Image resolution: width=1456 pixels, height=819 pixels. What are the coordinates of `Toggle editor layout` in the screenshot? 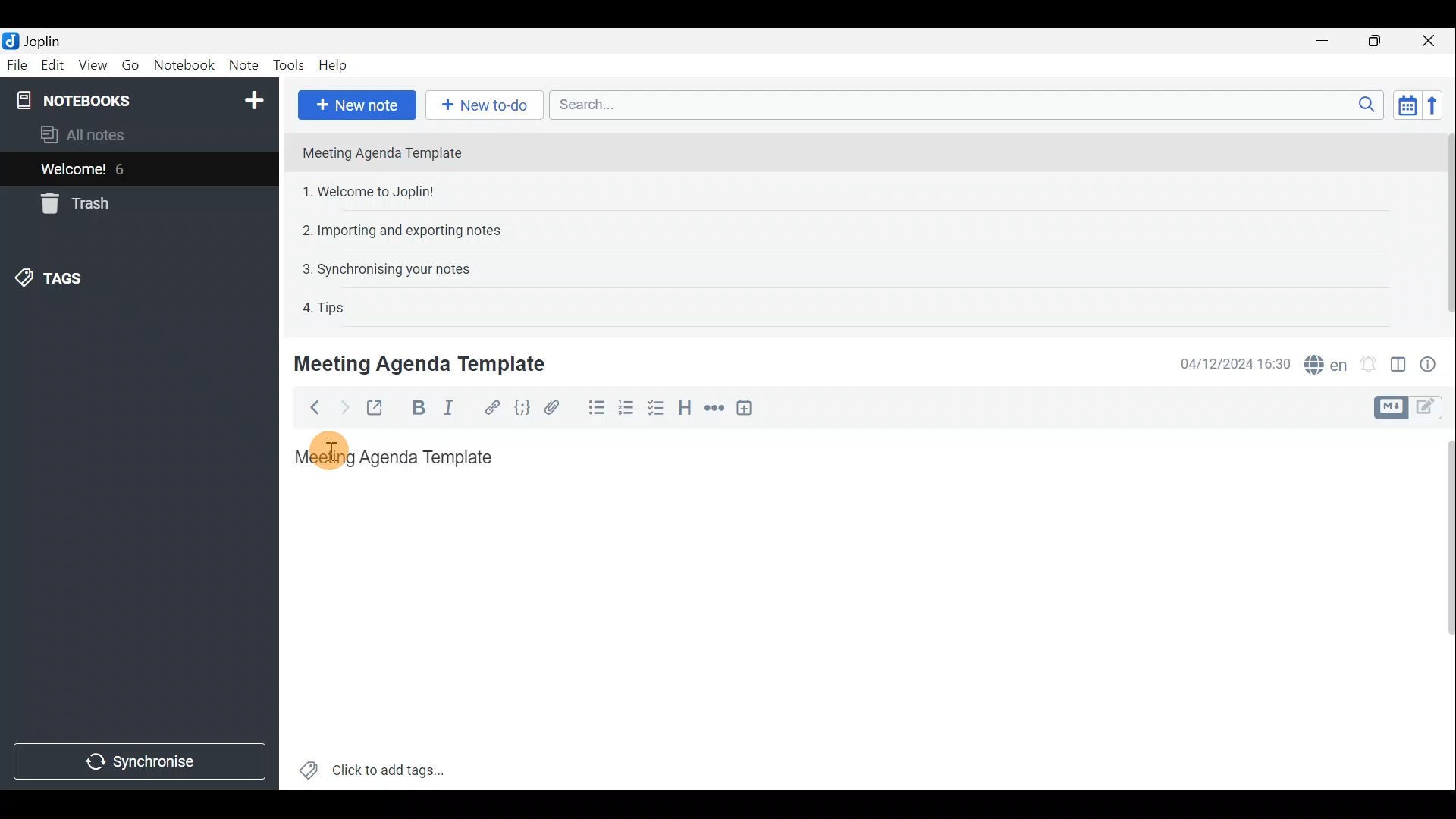 It's located at (1399, 367).